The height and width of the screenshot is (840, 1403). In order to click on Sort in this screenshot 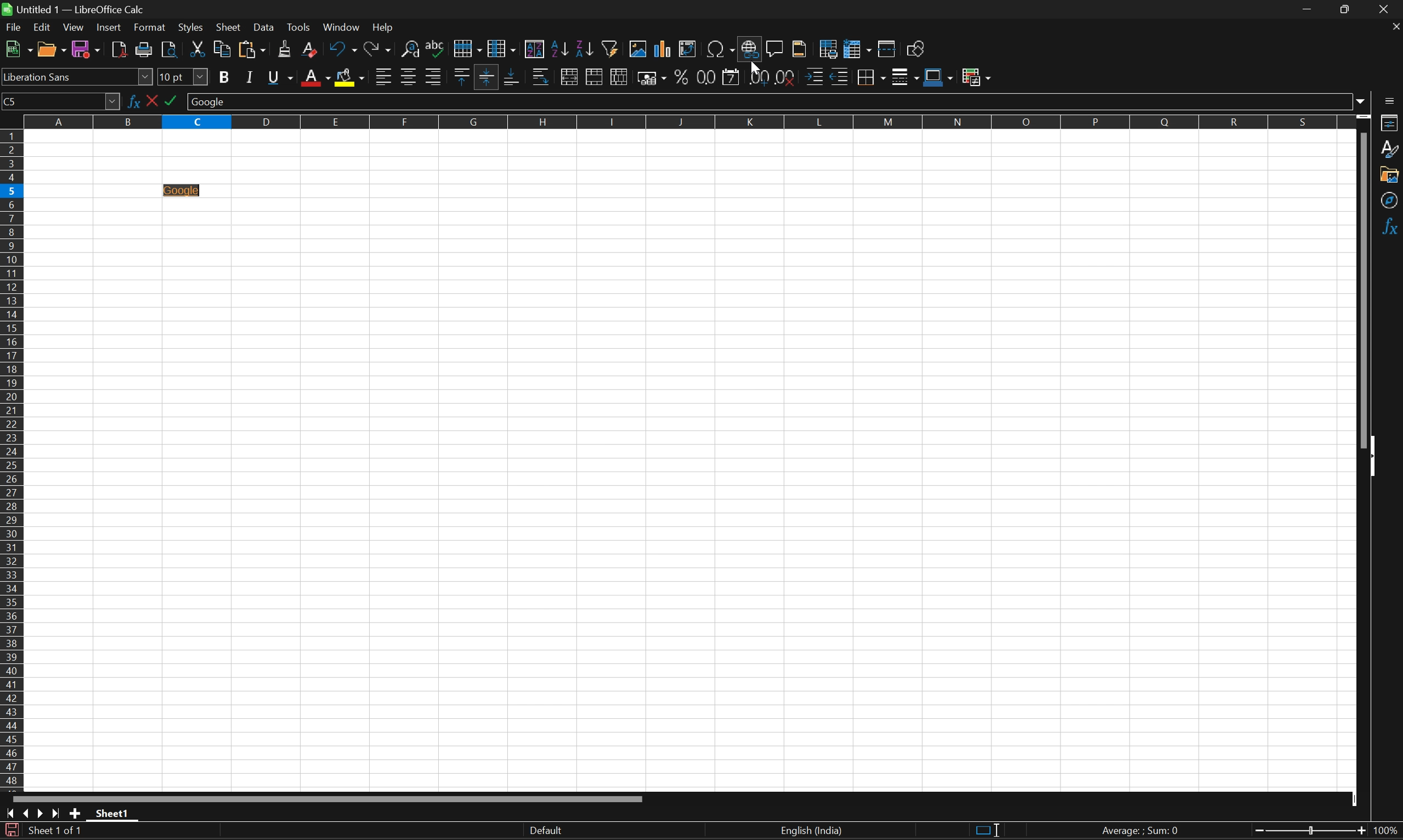, I will do `click(534, 48)`.